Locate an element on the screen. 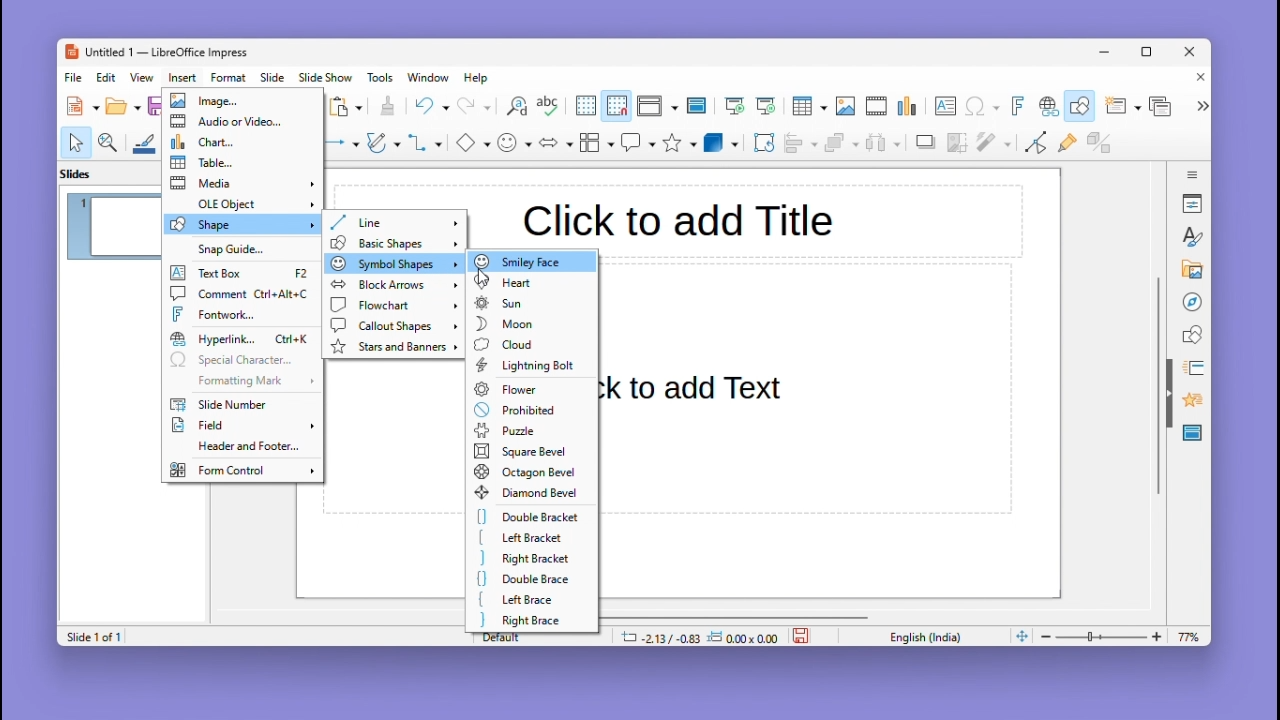 Image resolution: width=1280 pixels, height=720 pixels. Left brace is located at coordinates (531, 599).